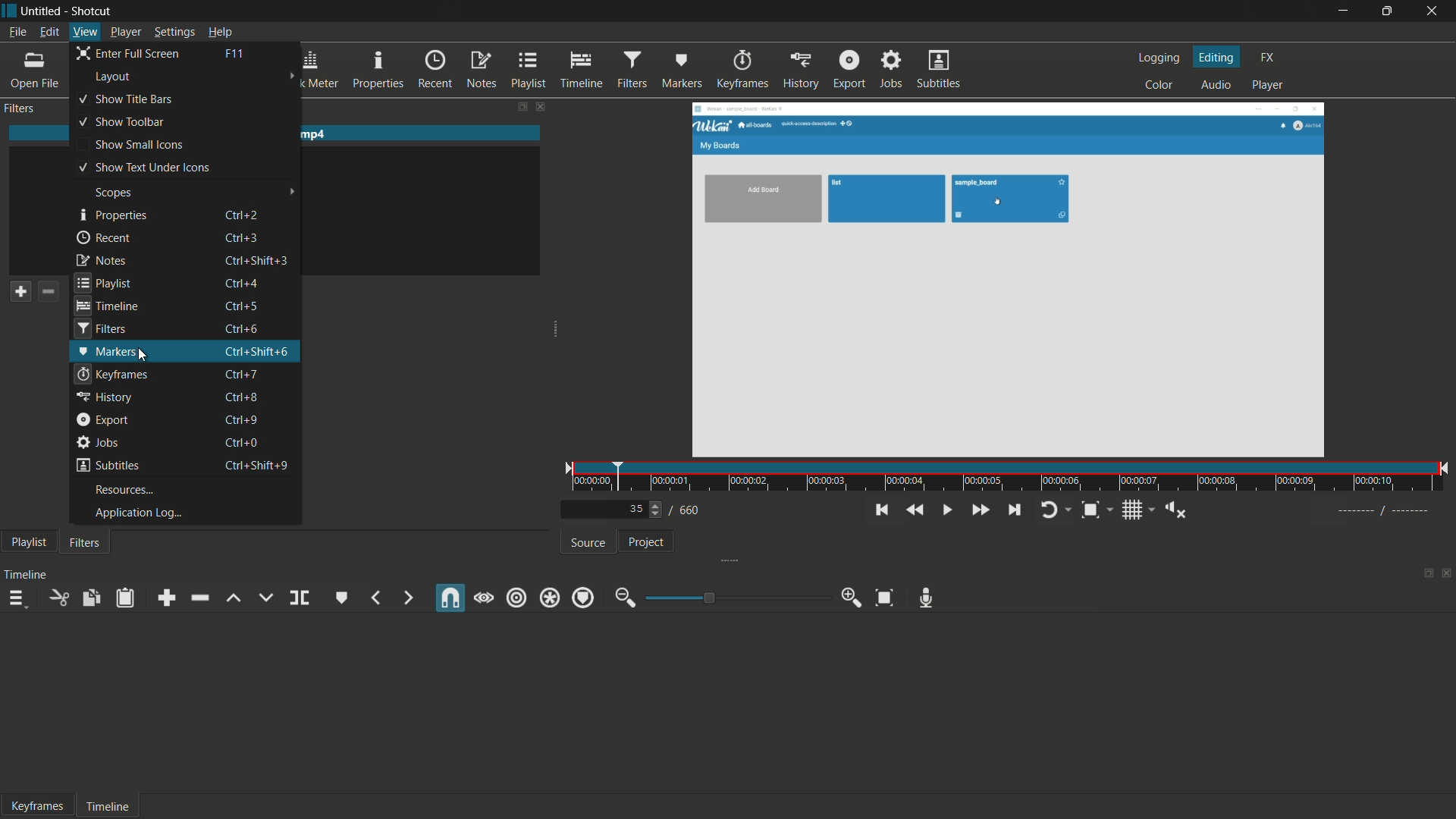 The image size is (1456, 819). I want to click on color, so click(1159, 86).